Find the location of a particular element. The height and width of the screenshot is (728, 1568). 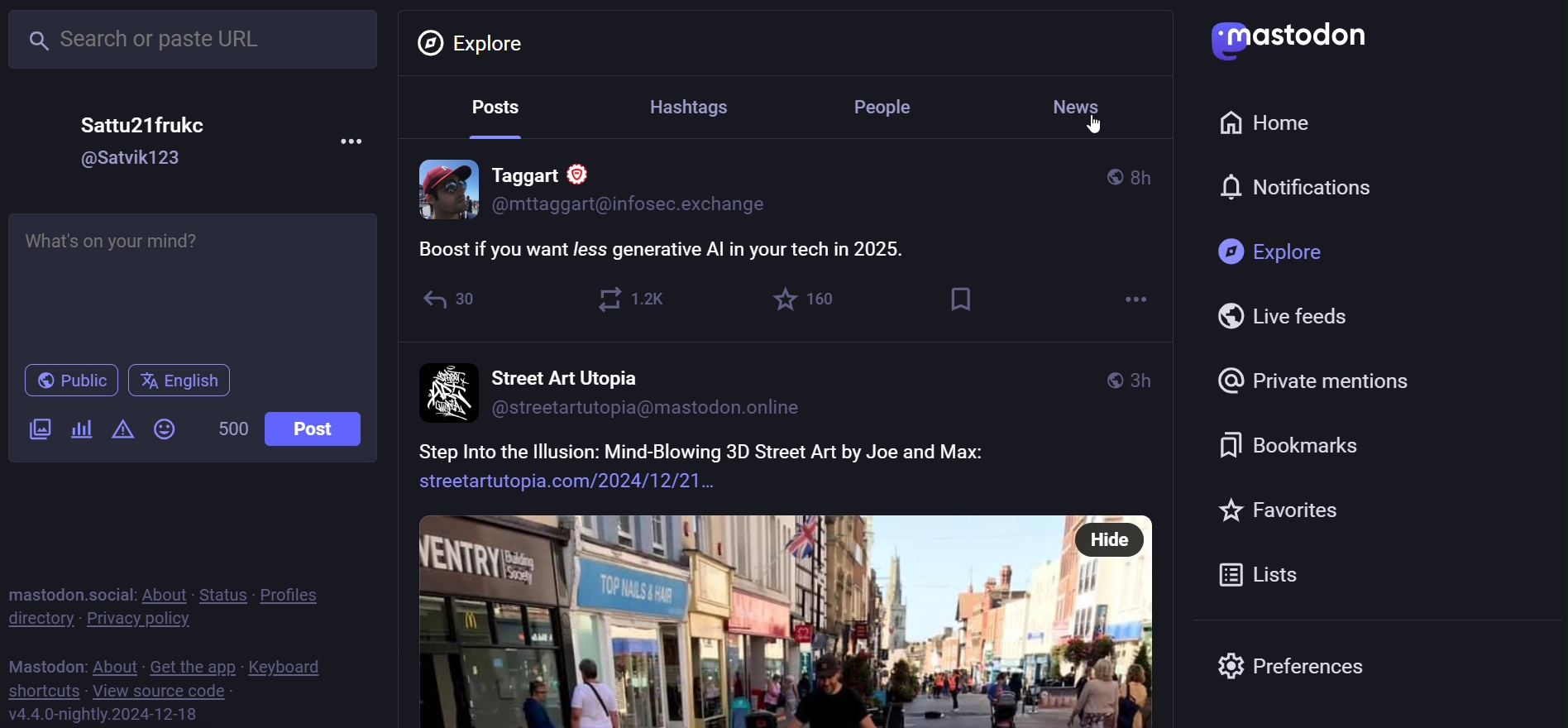

Taggart is located at coordinates (558, 168).